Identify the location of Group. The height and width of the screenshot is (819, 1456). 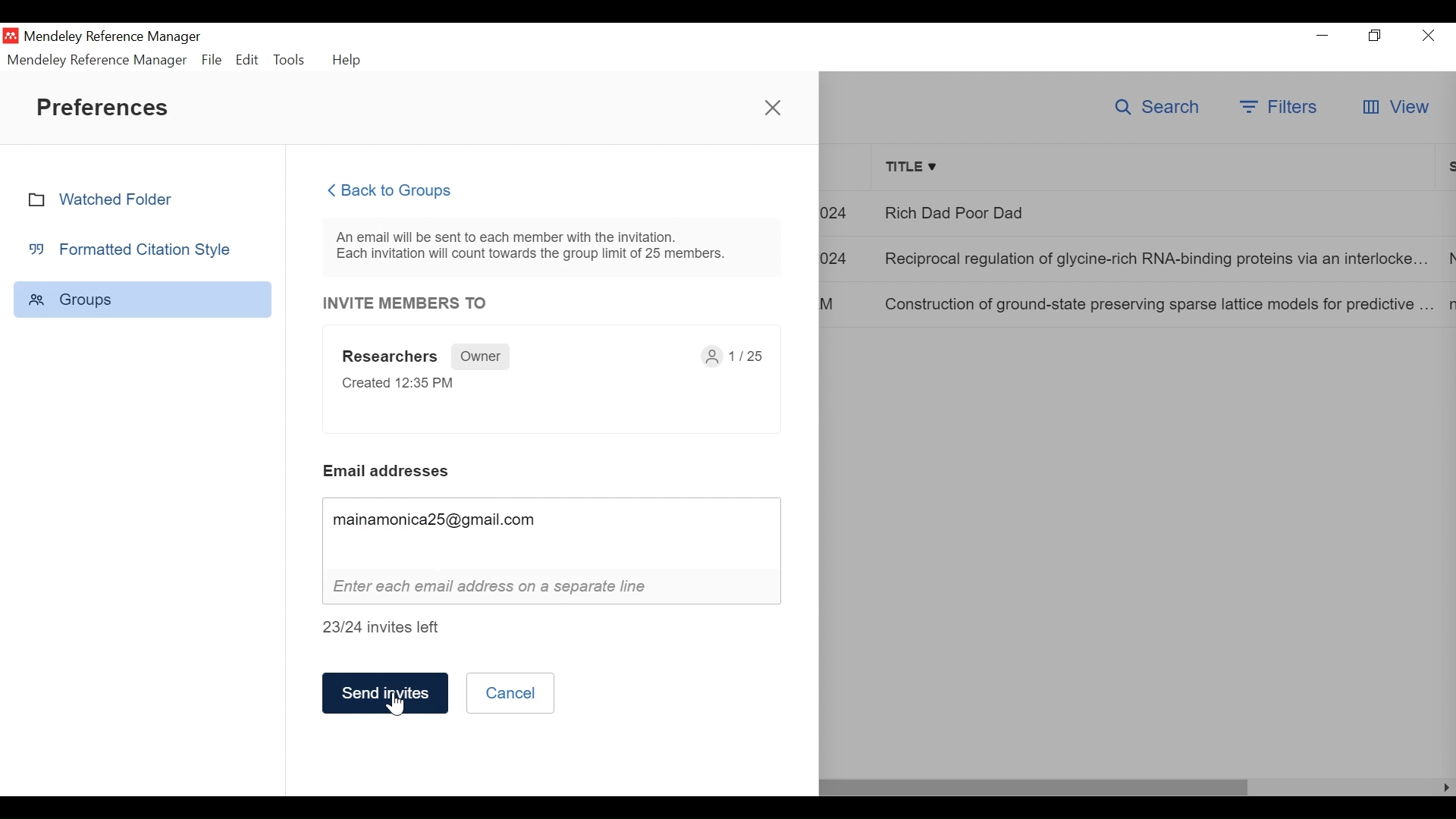
(143, 299).